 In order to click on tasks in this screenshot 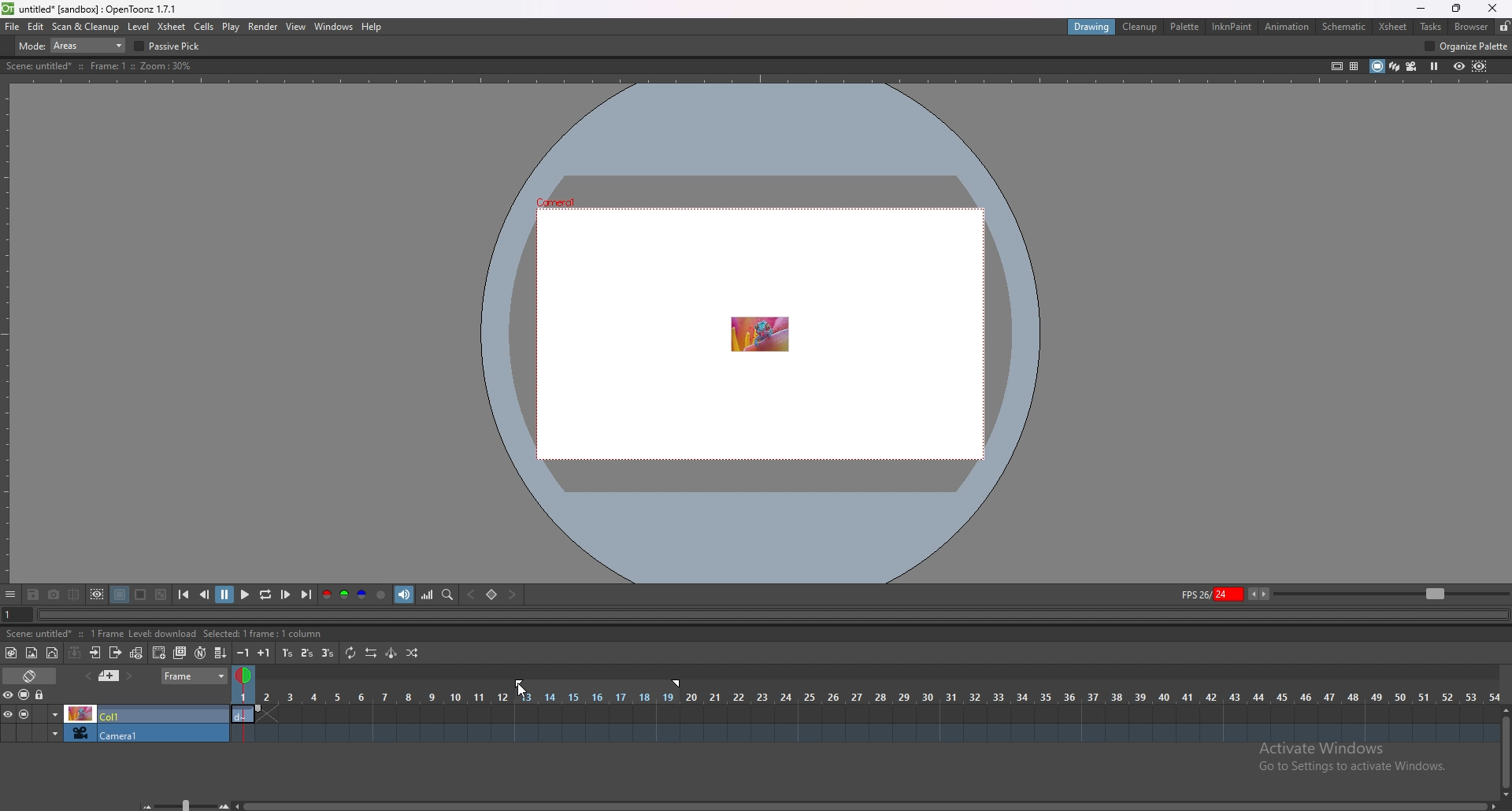, I will do `click(1430, 26)`.